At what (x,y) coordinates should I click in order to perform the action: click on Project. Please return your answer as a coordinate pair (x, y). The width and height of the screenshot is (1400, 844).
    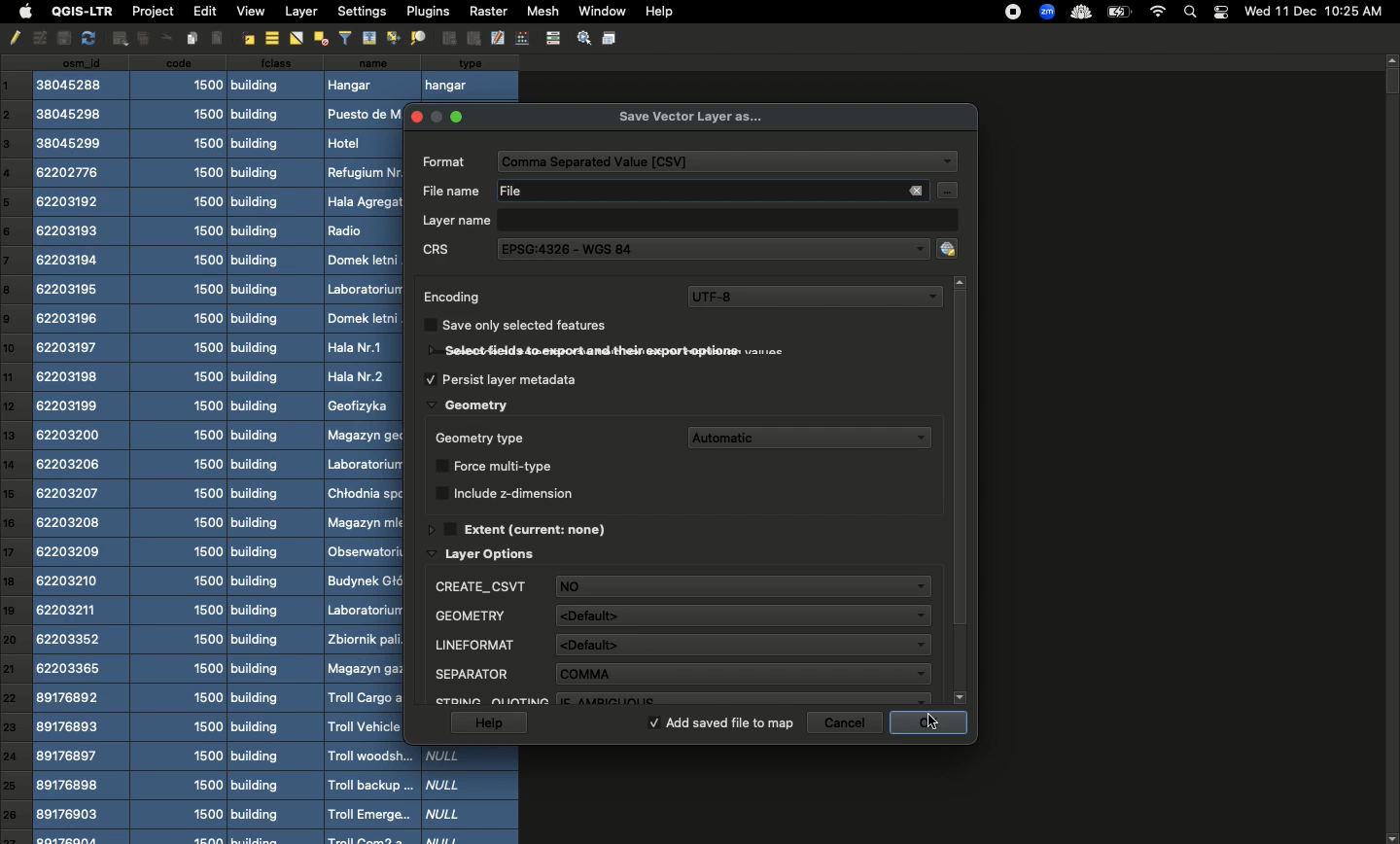
    Looking at the image, I should click on (152, 13).